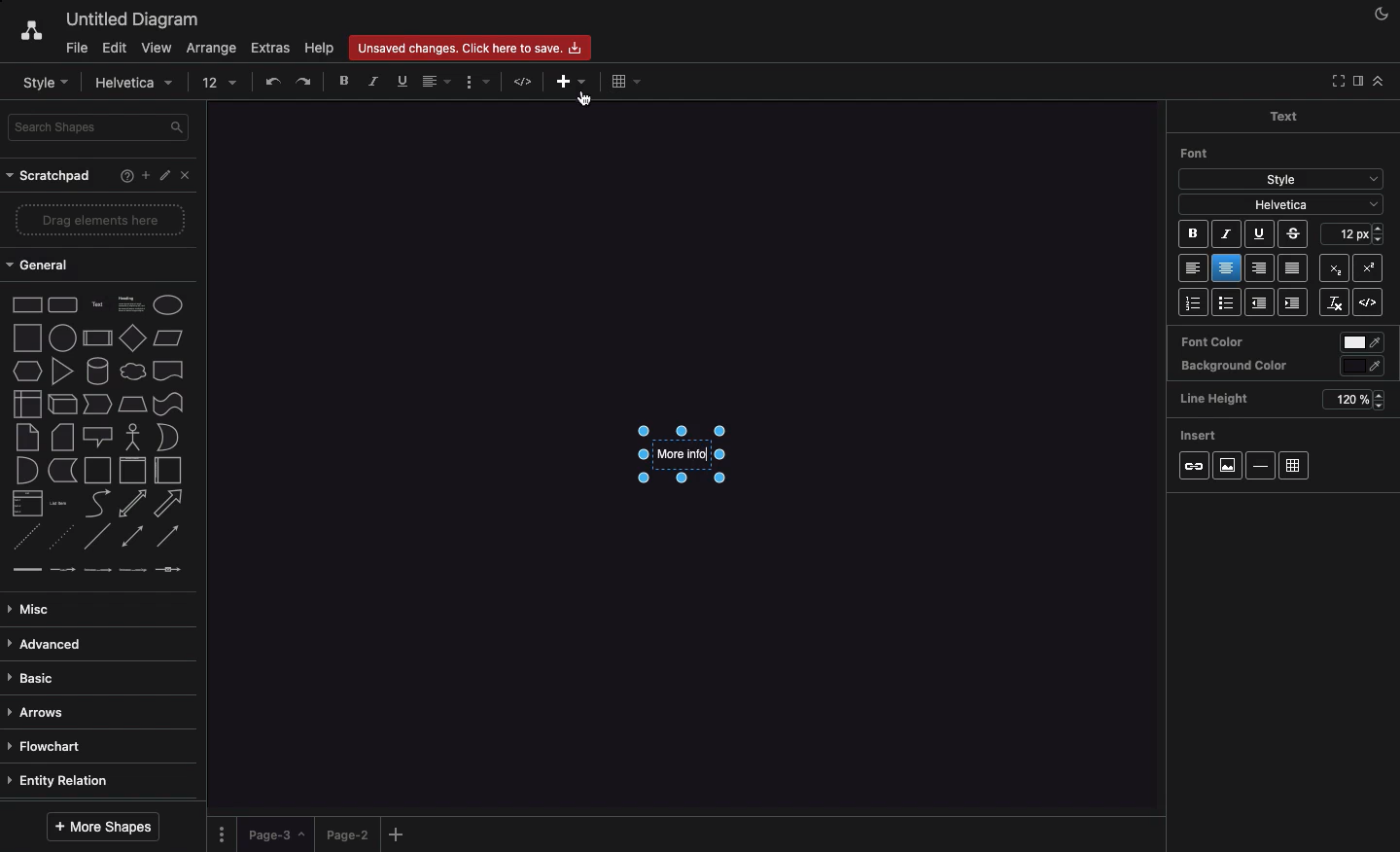 Image resolution: width=1400 pixels, height=852 pixels. What do you see at coordinates (271, 48) in the screenshot?
I see `Extras` at bounding box center [271, 48].